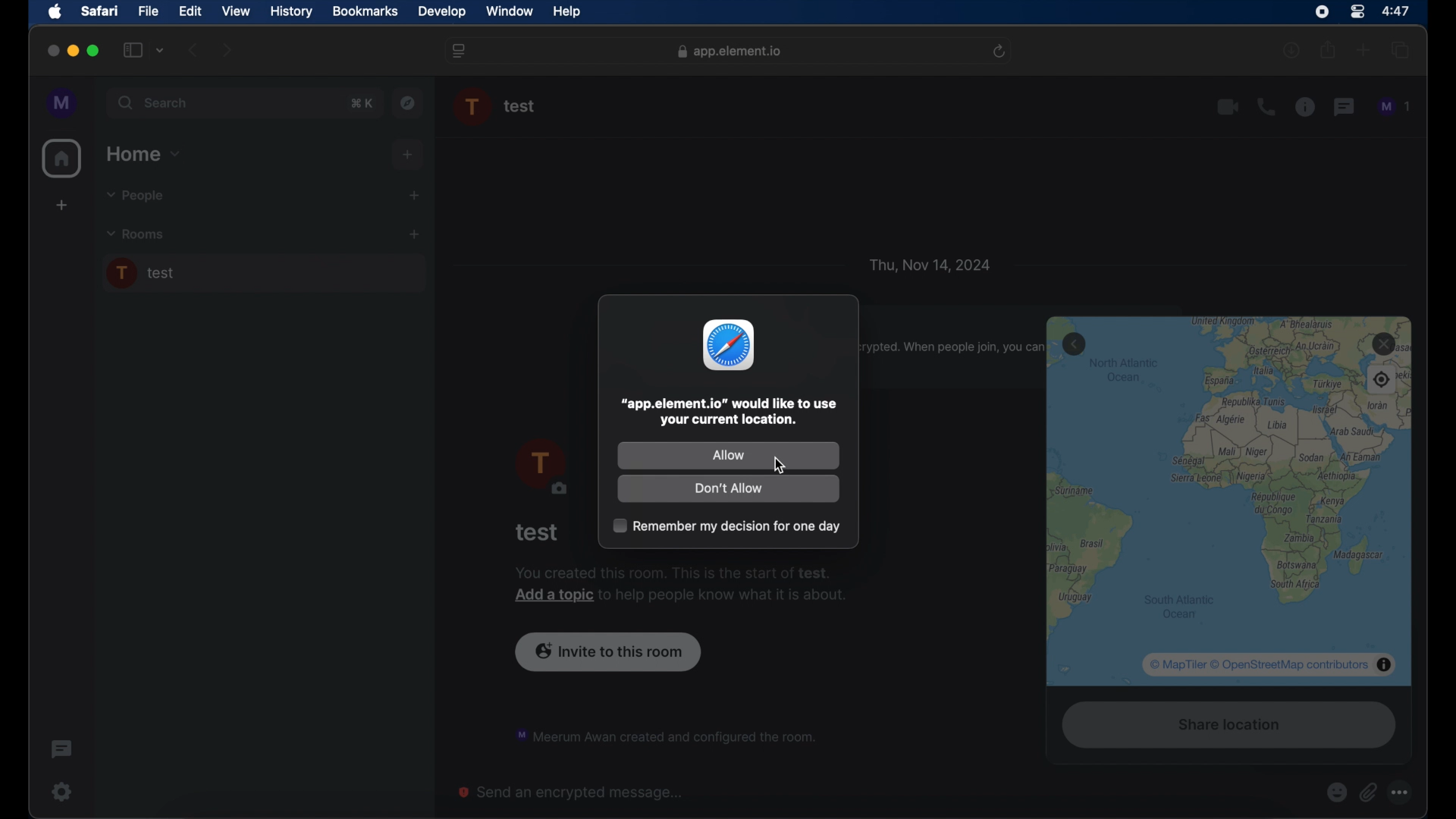  What do you see at coordinates (291, 11) in the screenshot?
I see `history` at bounding box center [291, 11].